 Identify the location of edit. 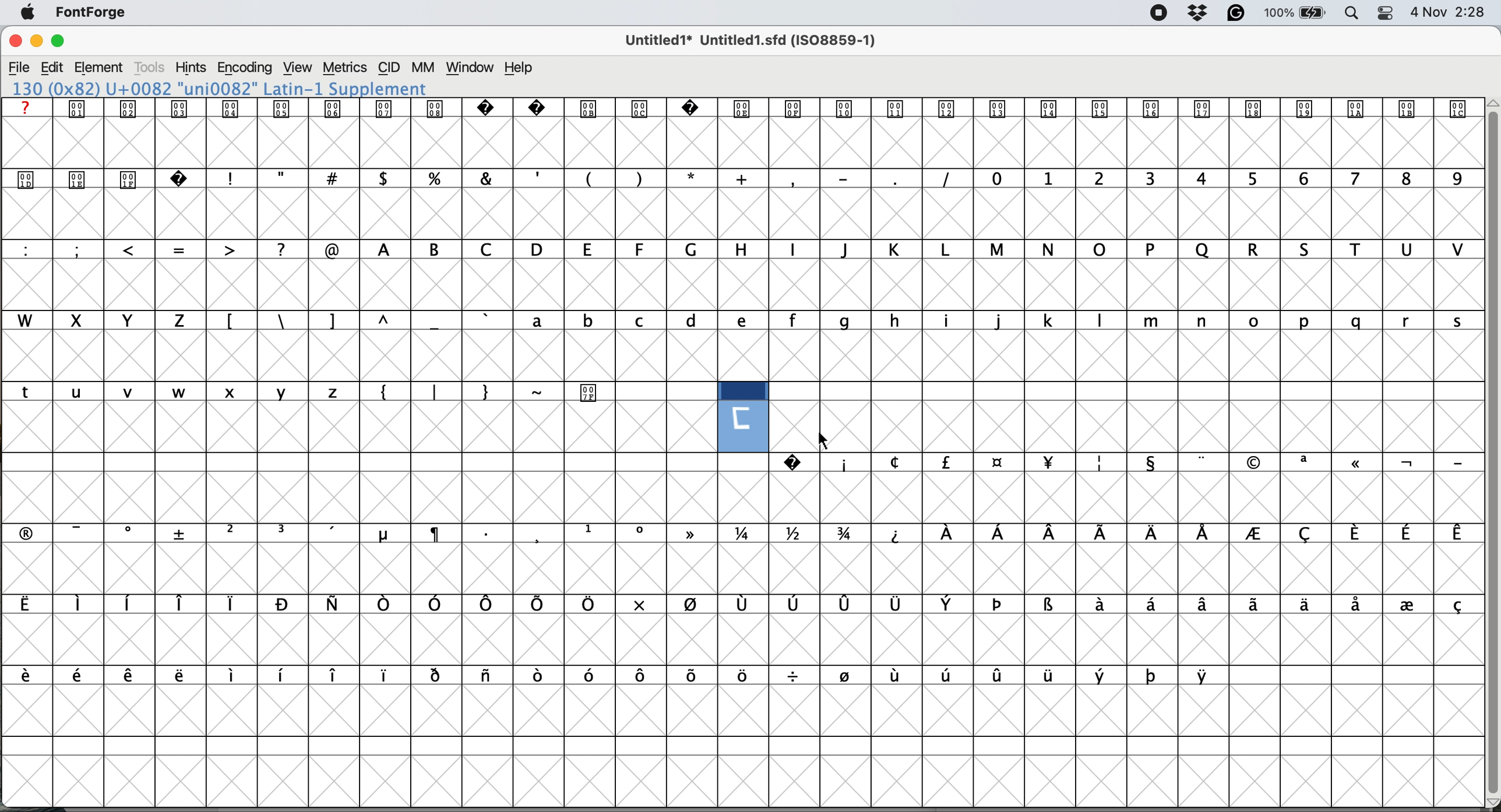
(52, 68).